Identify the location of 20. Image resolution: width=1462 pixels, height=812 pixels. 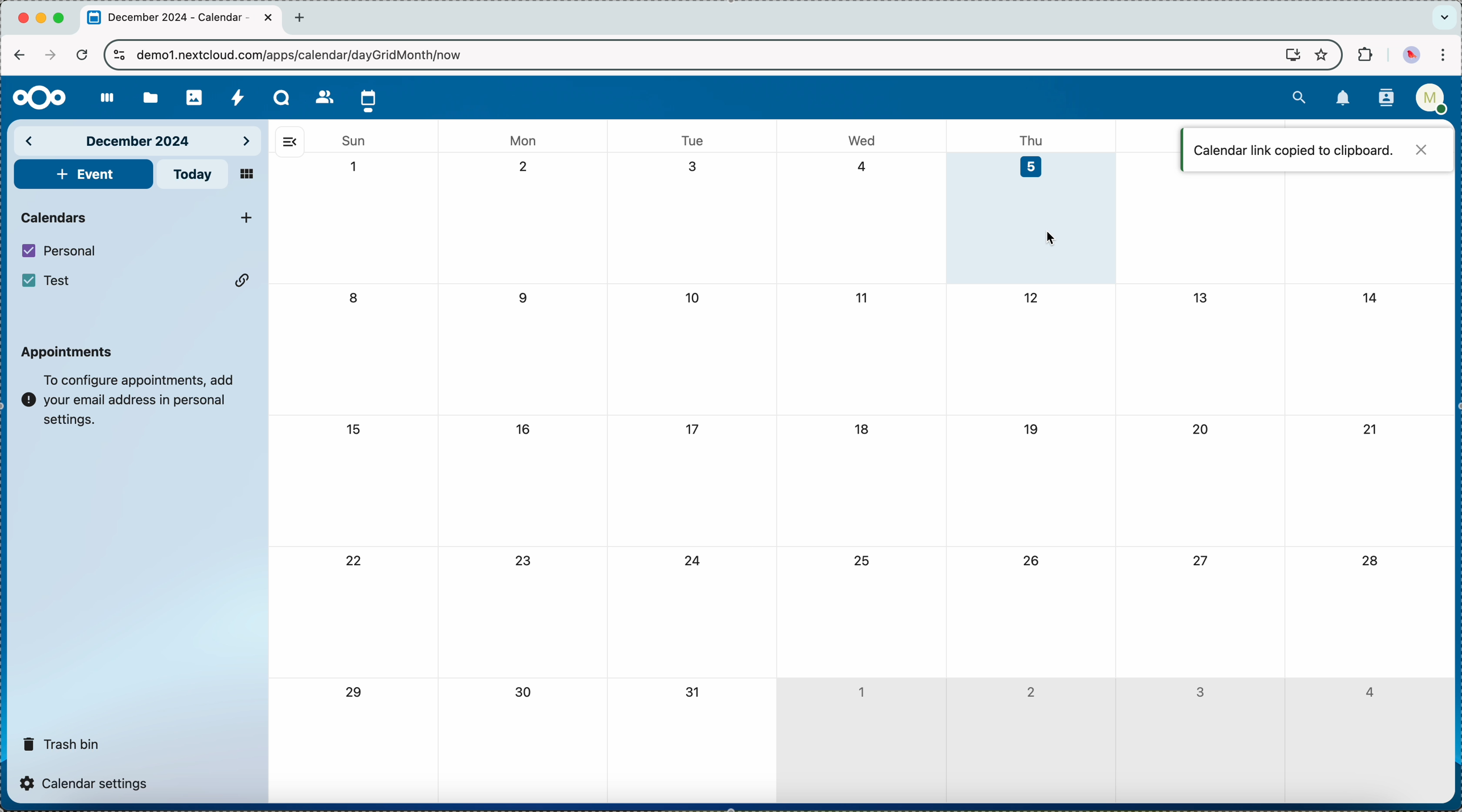
(1201, 429).